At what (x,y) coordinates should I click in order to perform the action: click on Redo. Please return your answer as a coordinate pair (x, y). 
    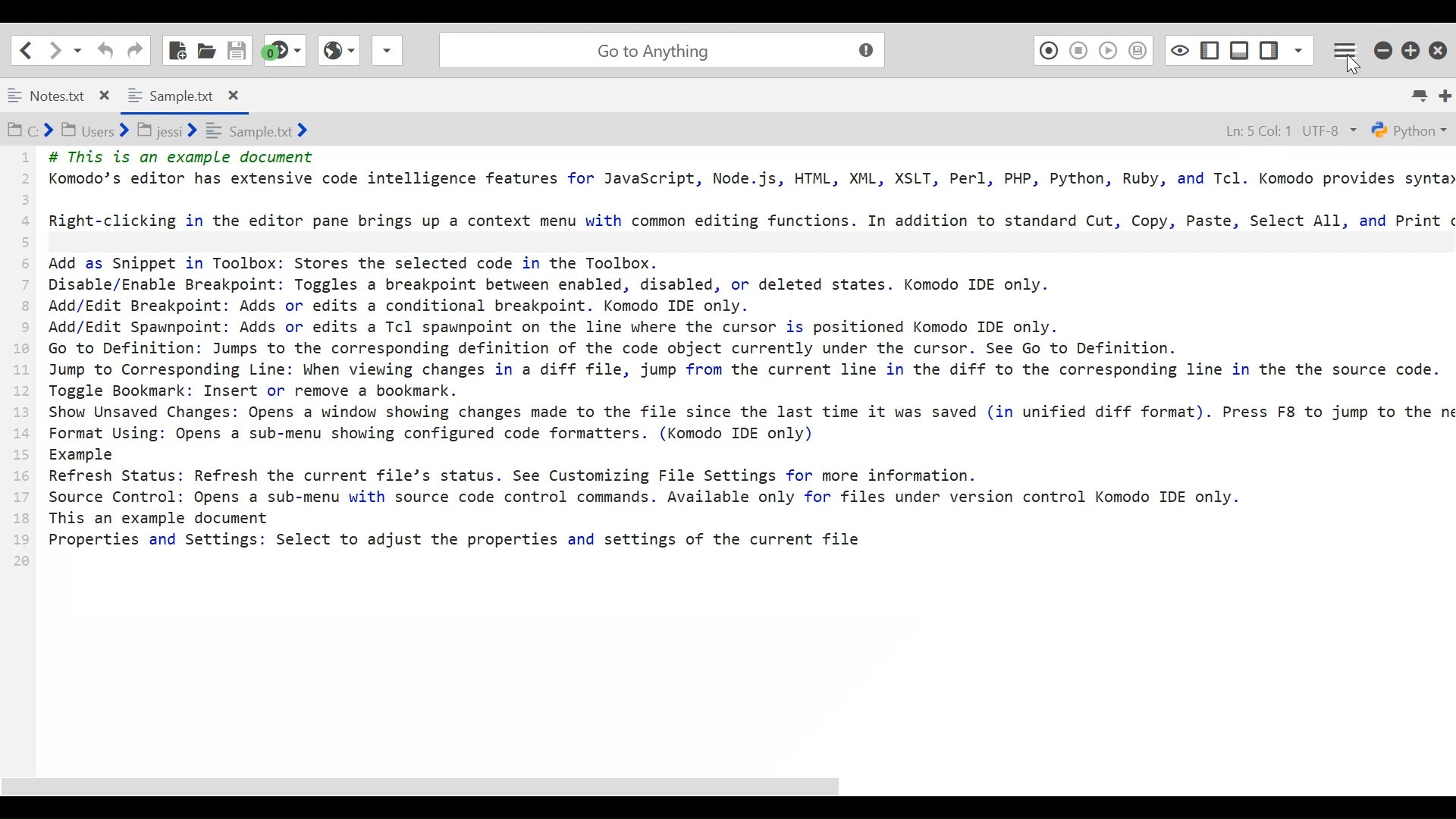
    Looking at the image, I should click on (135, 49).